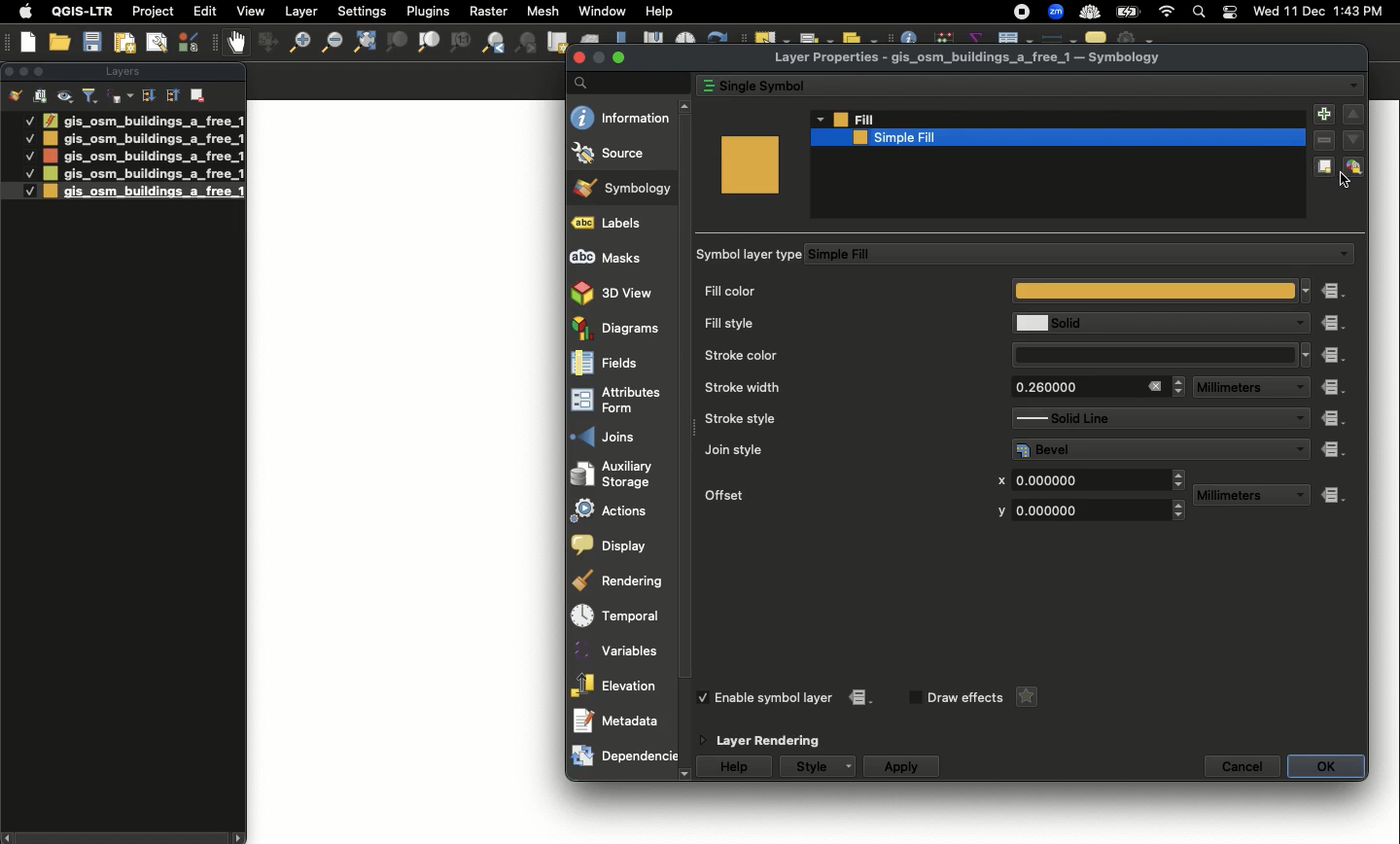  What do you see at coordinates (156, 43) in the screenshot?
I see `Show layout manager` at bounding box center [156, 43].